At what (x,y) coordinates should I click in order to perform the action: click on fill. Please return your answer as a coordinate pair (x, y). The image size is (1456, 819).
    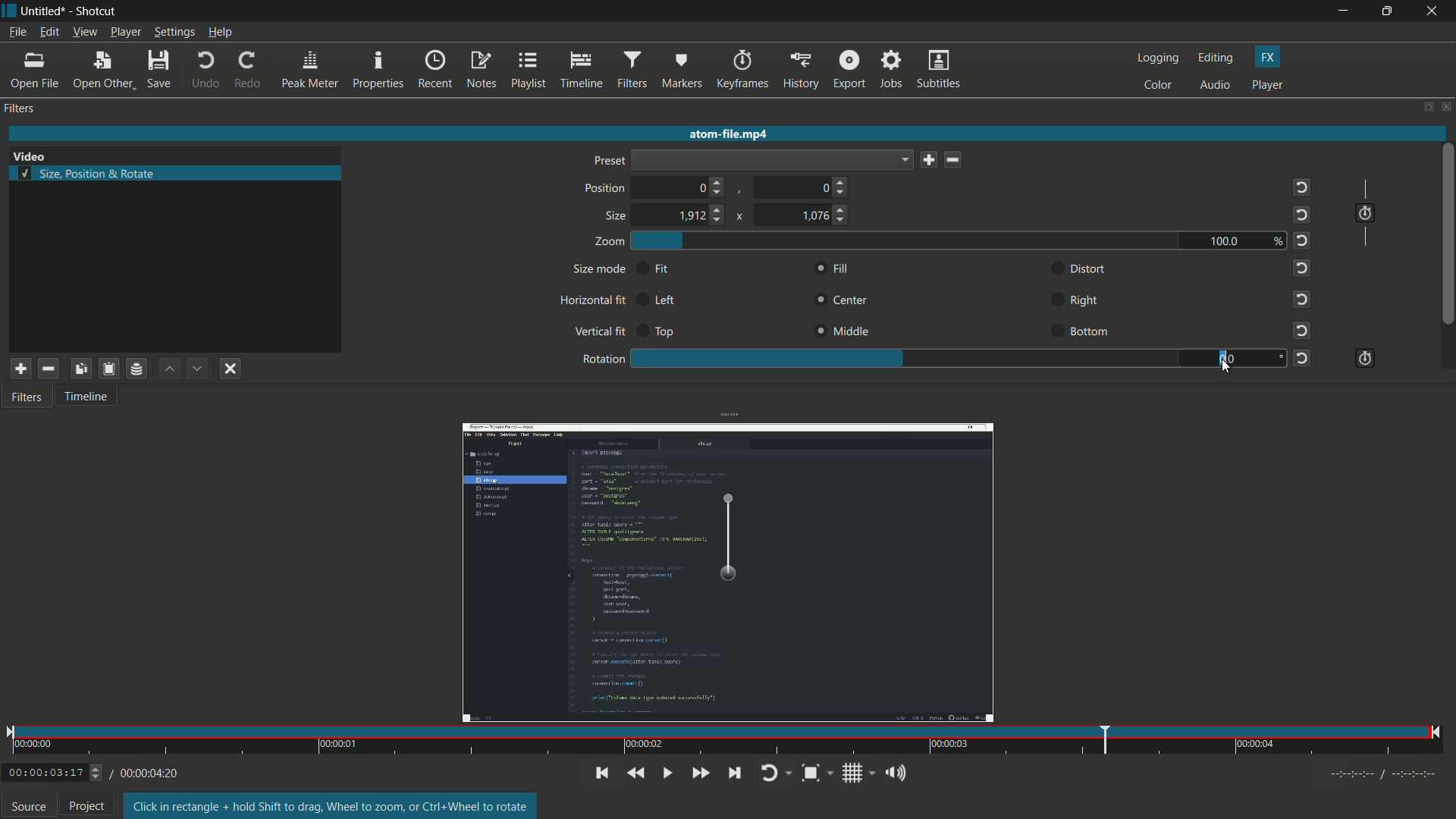
    Looking at the image, I should click on (831, 270).